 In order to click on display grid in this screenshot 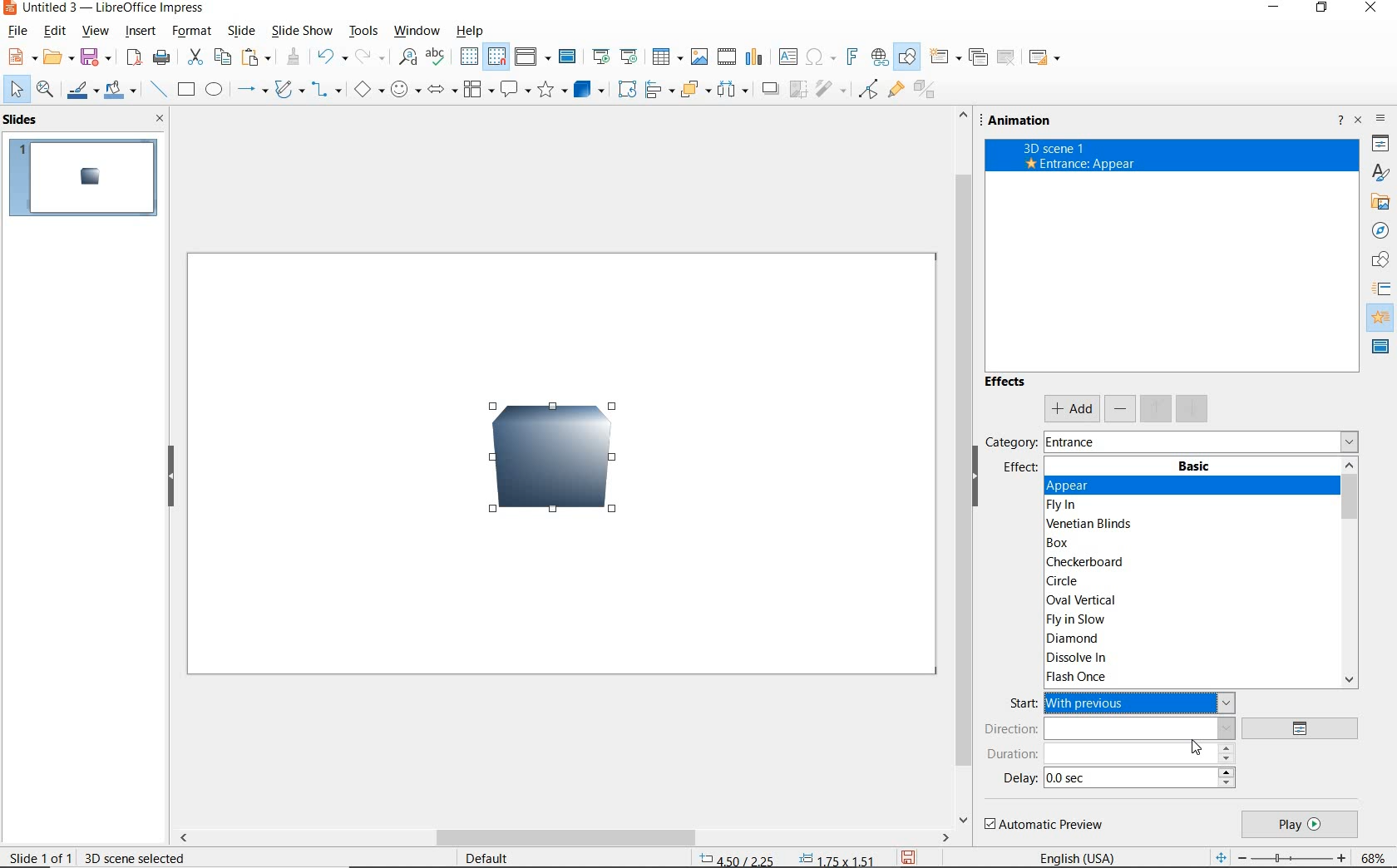, I will do `click(468, 56)`.